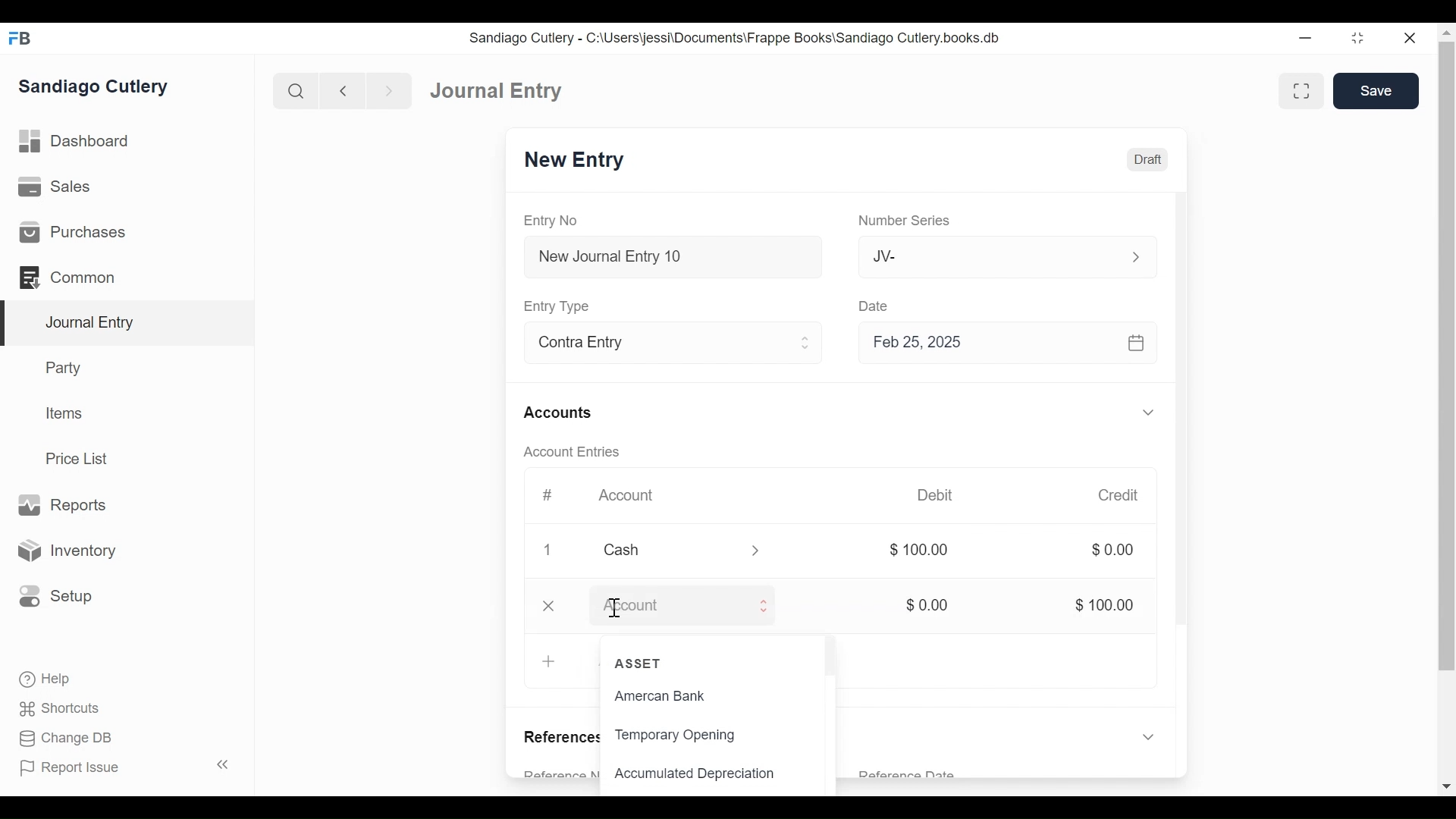 Image resolution: width=1456 pixels, height=819 pixels. I want to click on Vertical scroll bar, so click(1447, 356).